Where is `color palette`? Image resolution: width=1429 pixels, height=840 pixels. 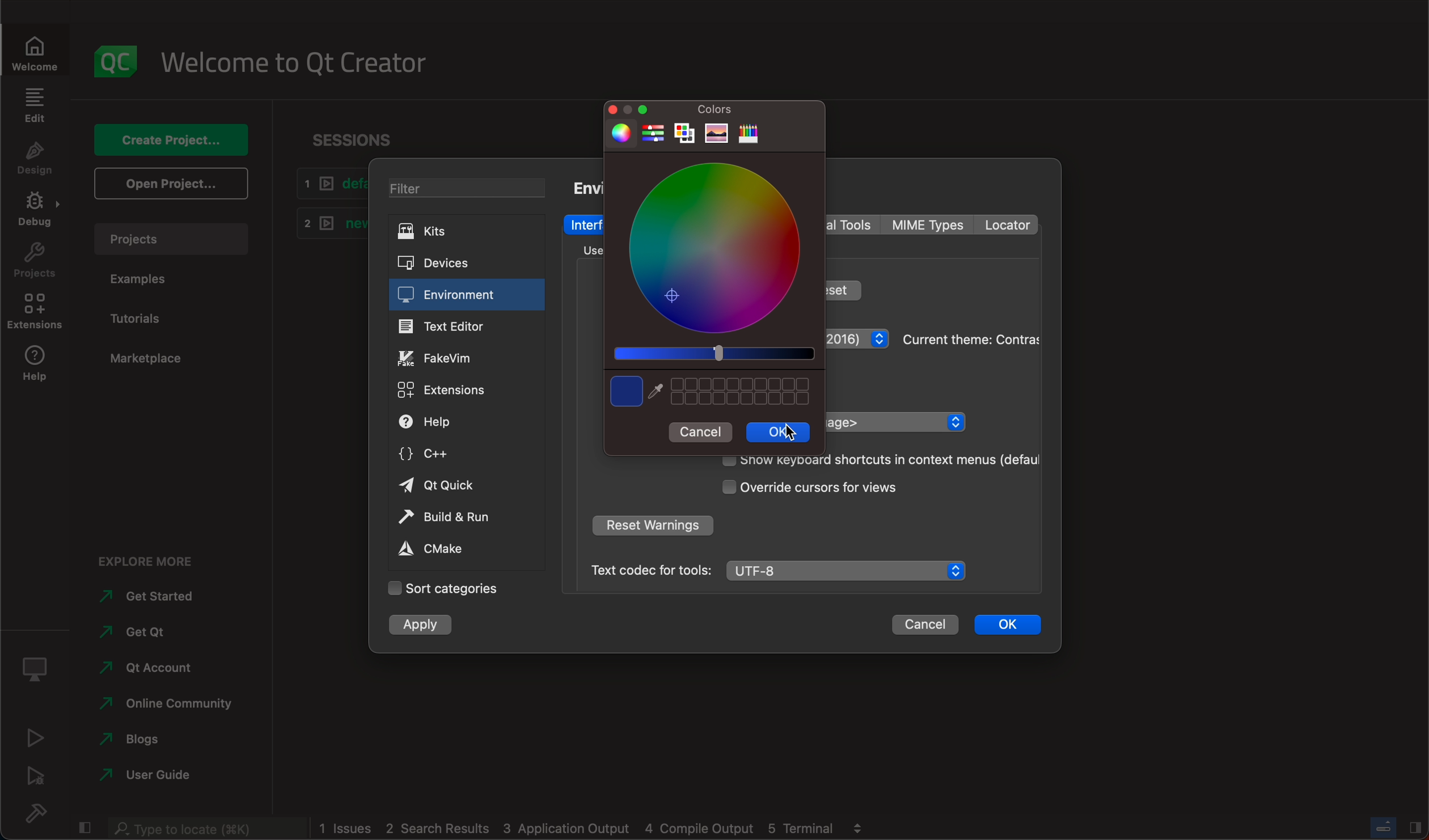 color palette is located at coordinates (686, 135).